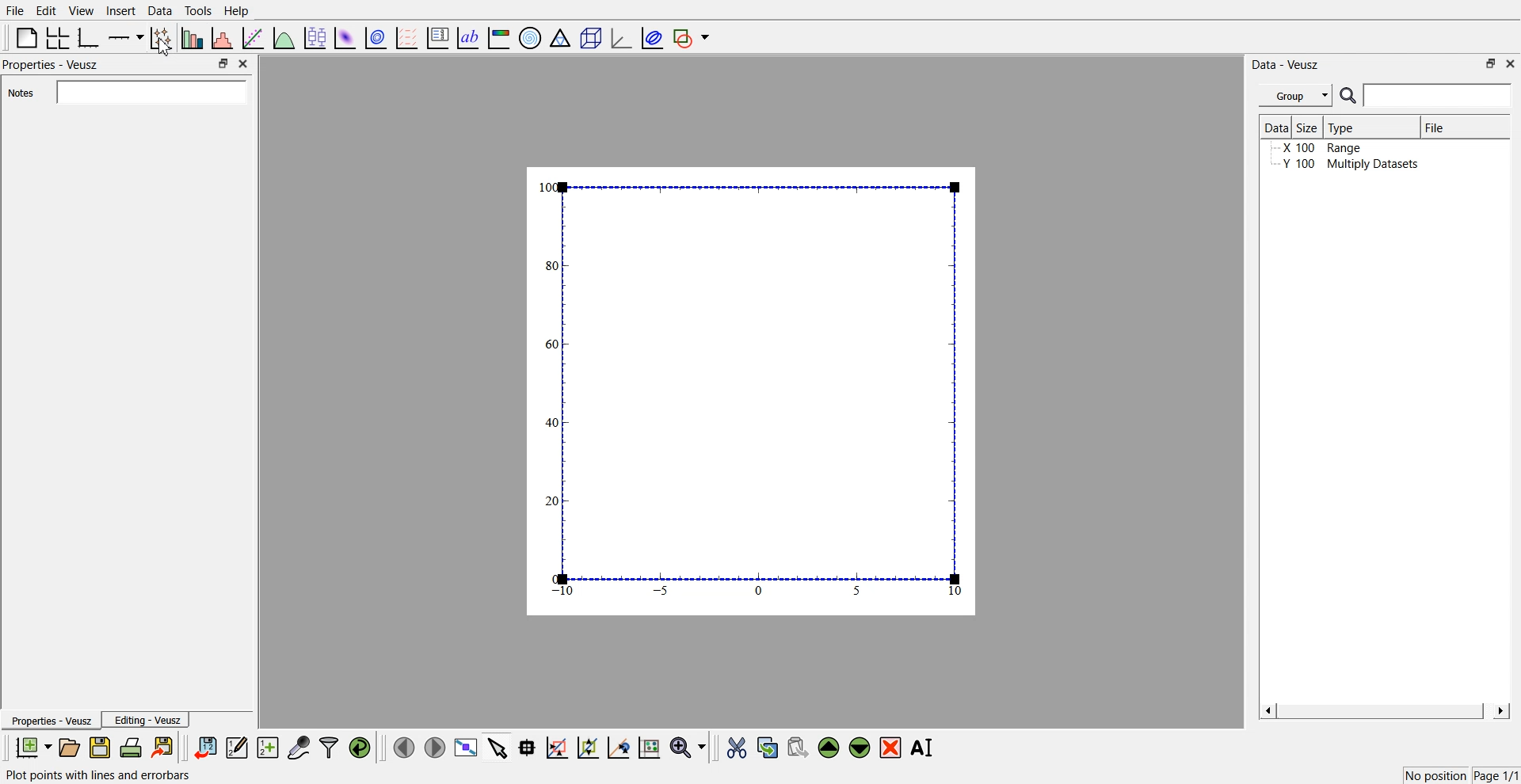 This screenshot has width=1521, height=784. What do you see at coordinates (242, 13) in the screenshot?
I see `Help` at bounding box center [242, 13].